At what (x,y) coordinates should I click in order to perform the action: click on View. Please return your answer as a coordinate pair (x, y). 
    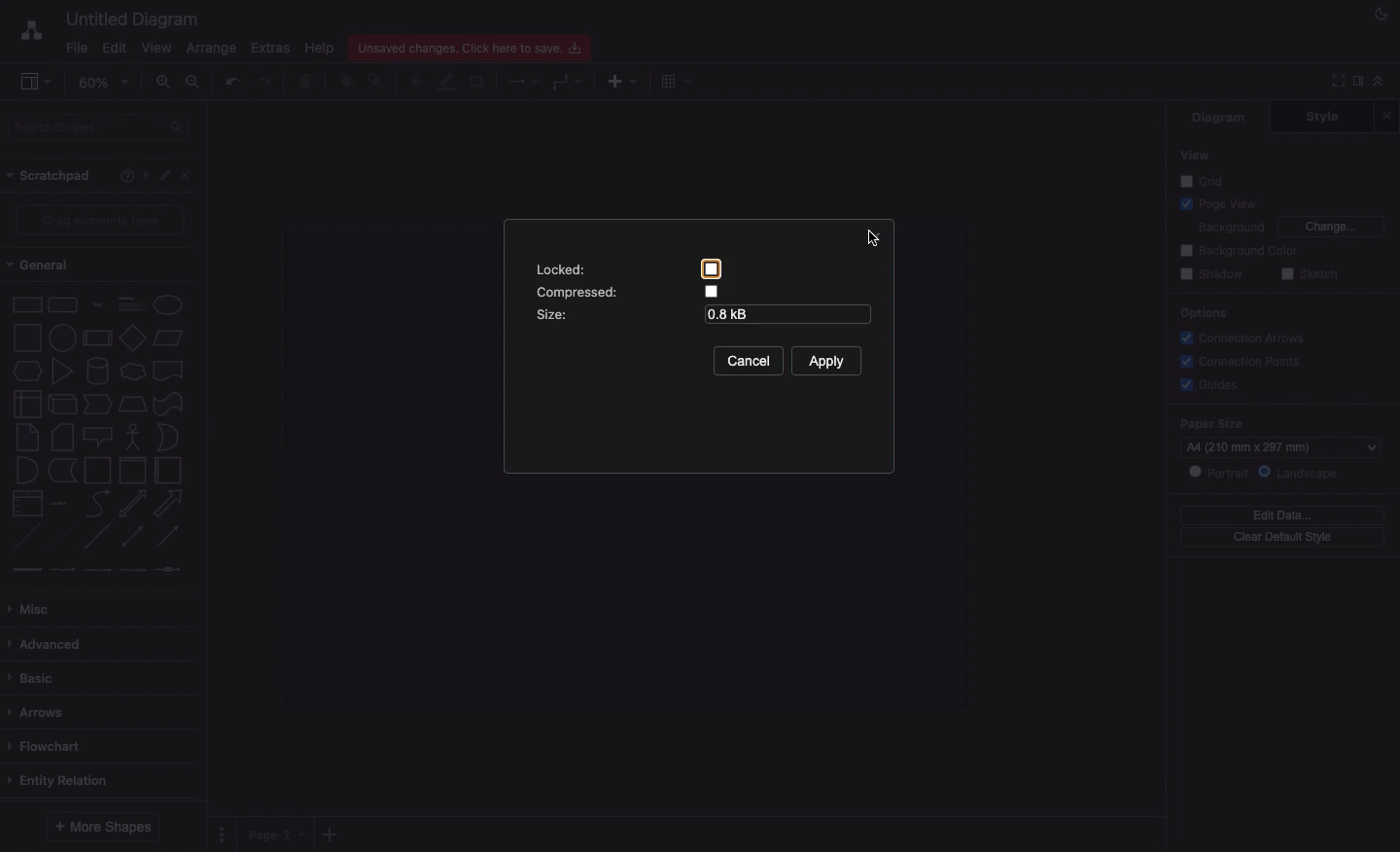
    Looking at the image, I should click on (157, 47).